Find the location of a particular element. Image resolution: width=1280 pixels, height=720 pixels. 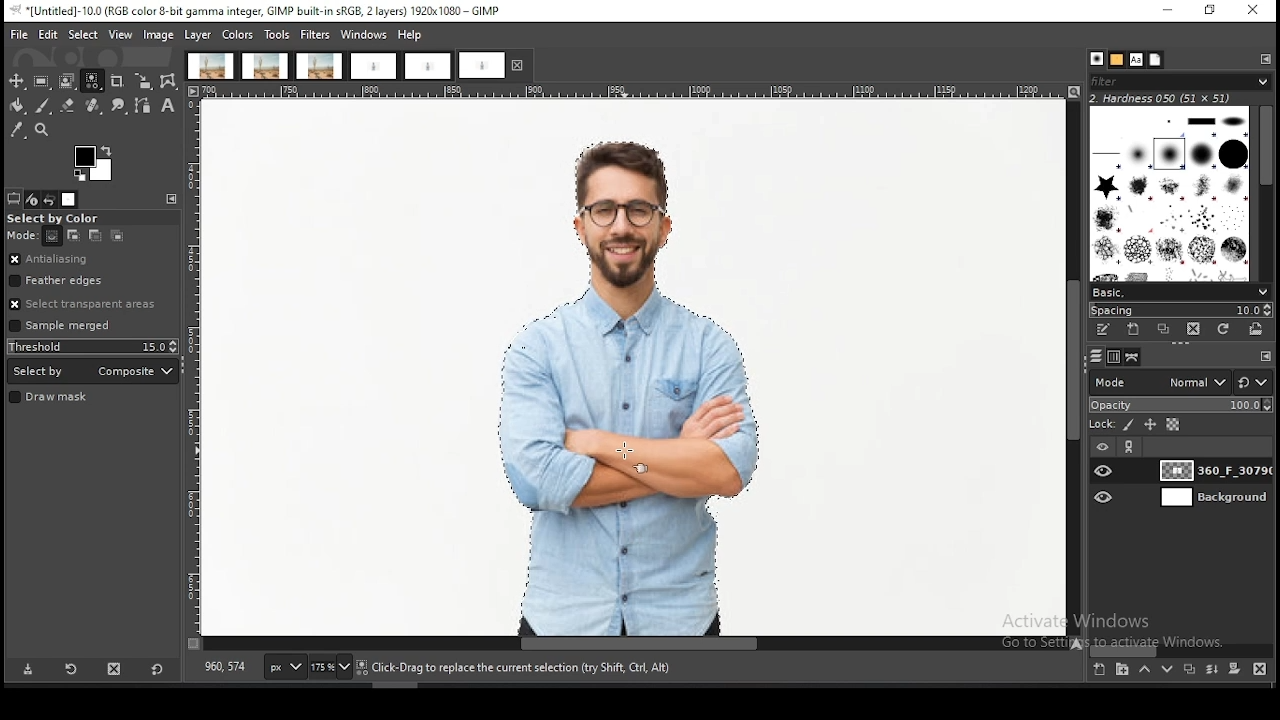

configure this tab is located at coordinates (1267, 59).